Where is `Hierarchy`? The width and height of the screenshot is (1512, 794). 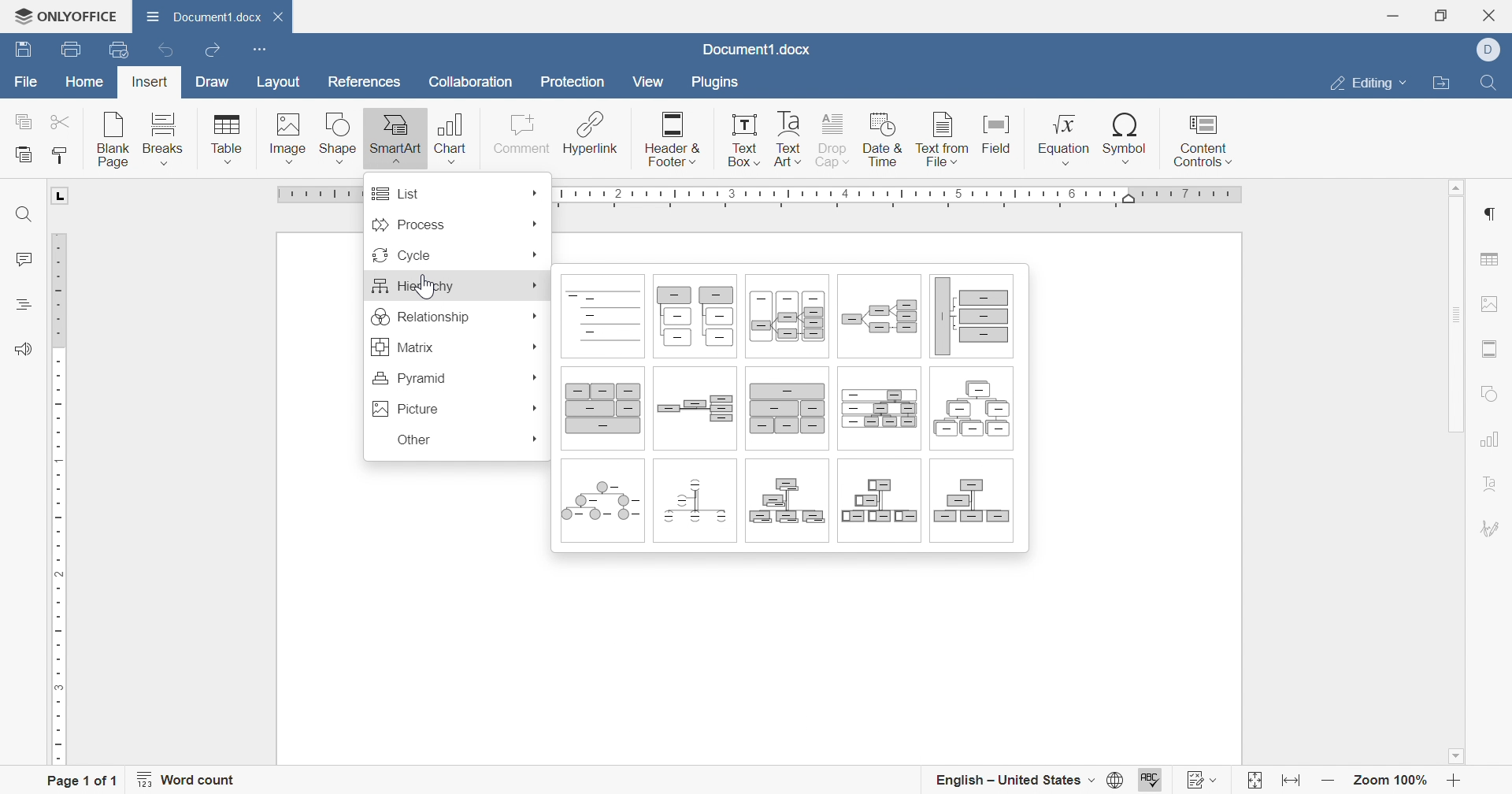
Hierarchy is located at coordinates (412, 287).